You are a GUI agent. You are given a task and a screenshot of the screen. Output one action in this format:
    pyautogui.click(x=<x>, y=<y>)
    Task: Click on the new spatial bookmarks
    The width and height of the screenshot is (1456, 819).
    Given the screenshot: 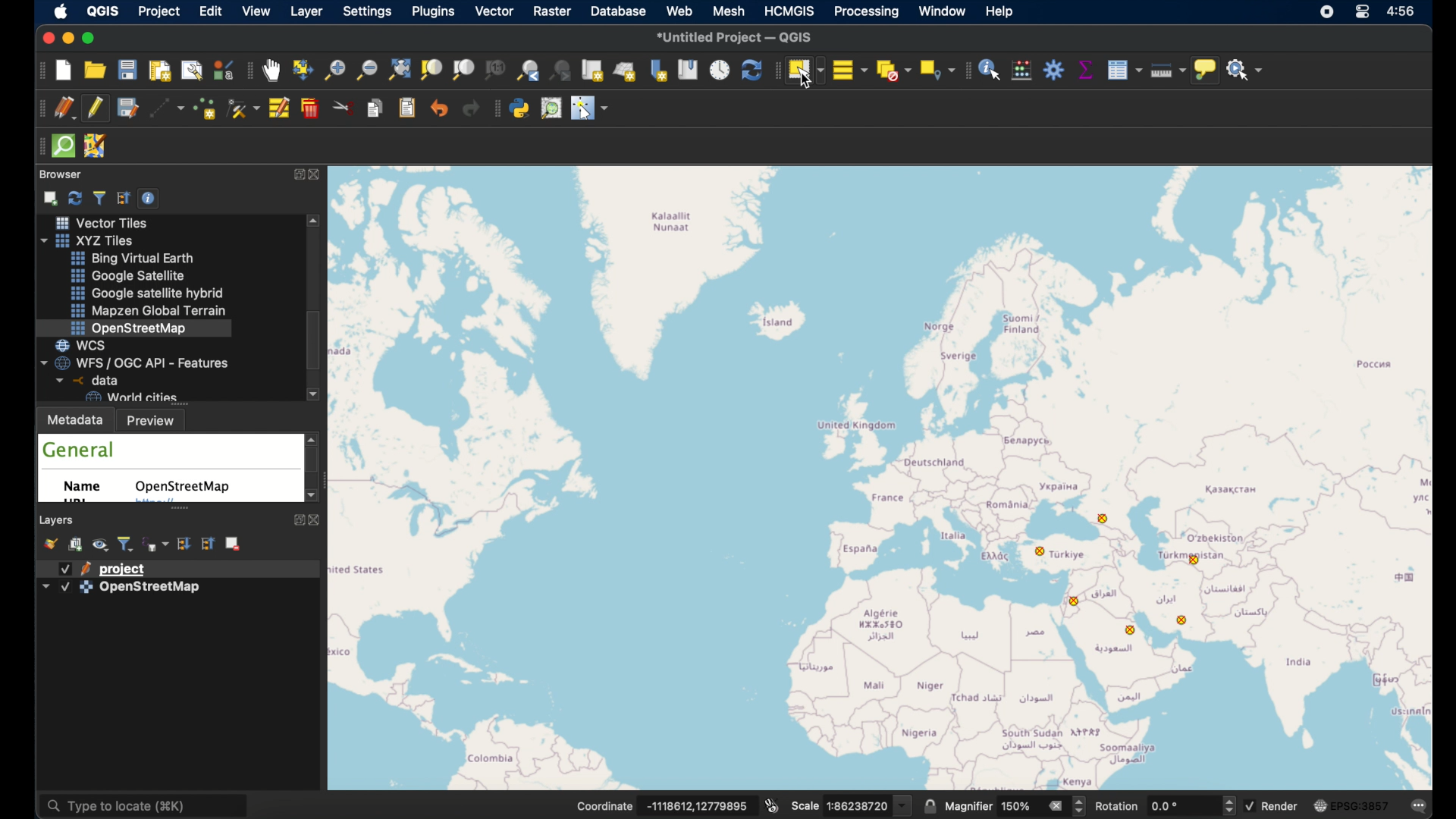 What is the action you would take?
    pyautogui.click(x=659, y=70)
    